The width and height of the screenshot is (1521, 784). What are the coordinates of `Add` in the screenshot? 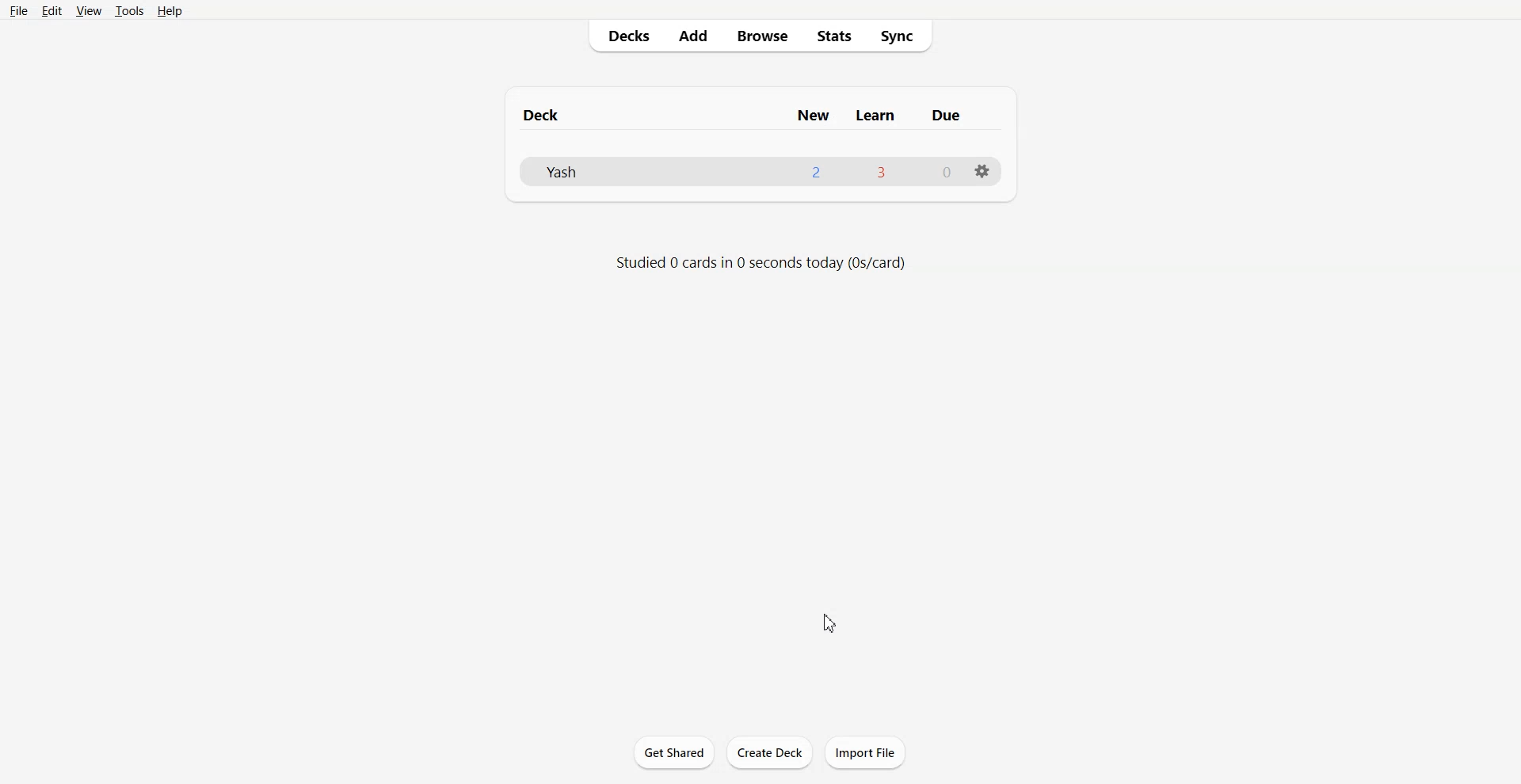 It's located at (694, 36).